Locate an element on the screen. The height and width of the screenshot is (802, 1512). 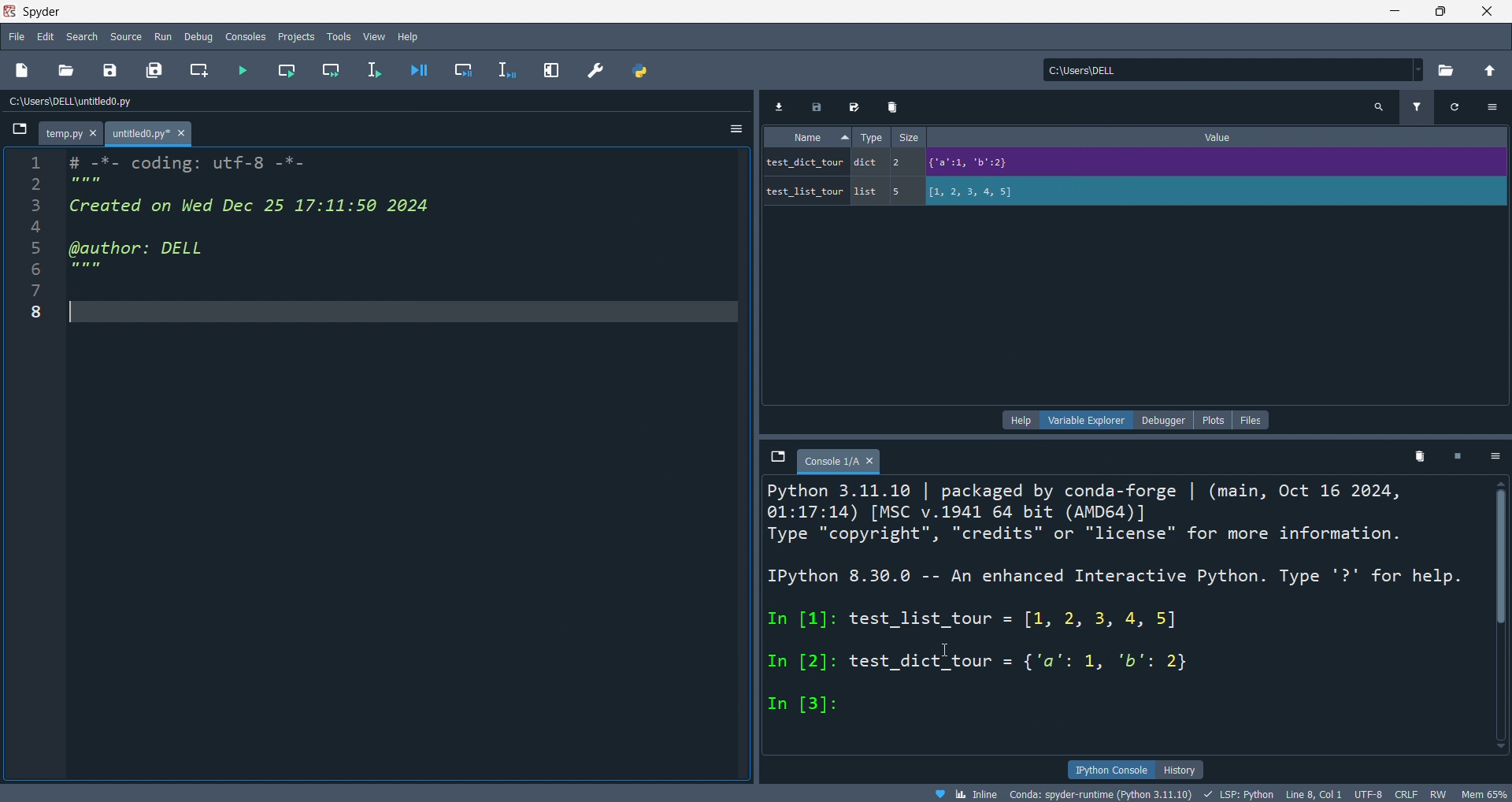
Mem 64% is located at coordinates (1484, 793).